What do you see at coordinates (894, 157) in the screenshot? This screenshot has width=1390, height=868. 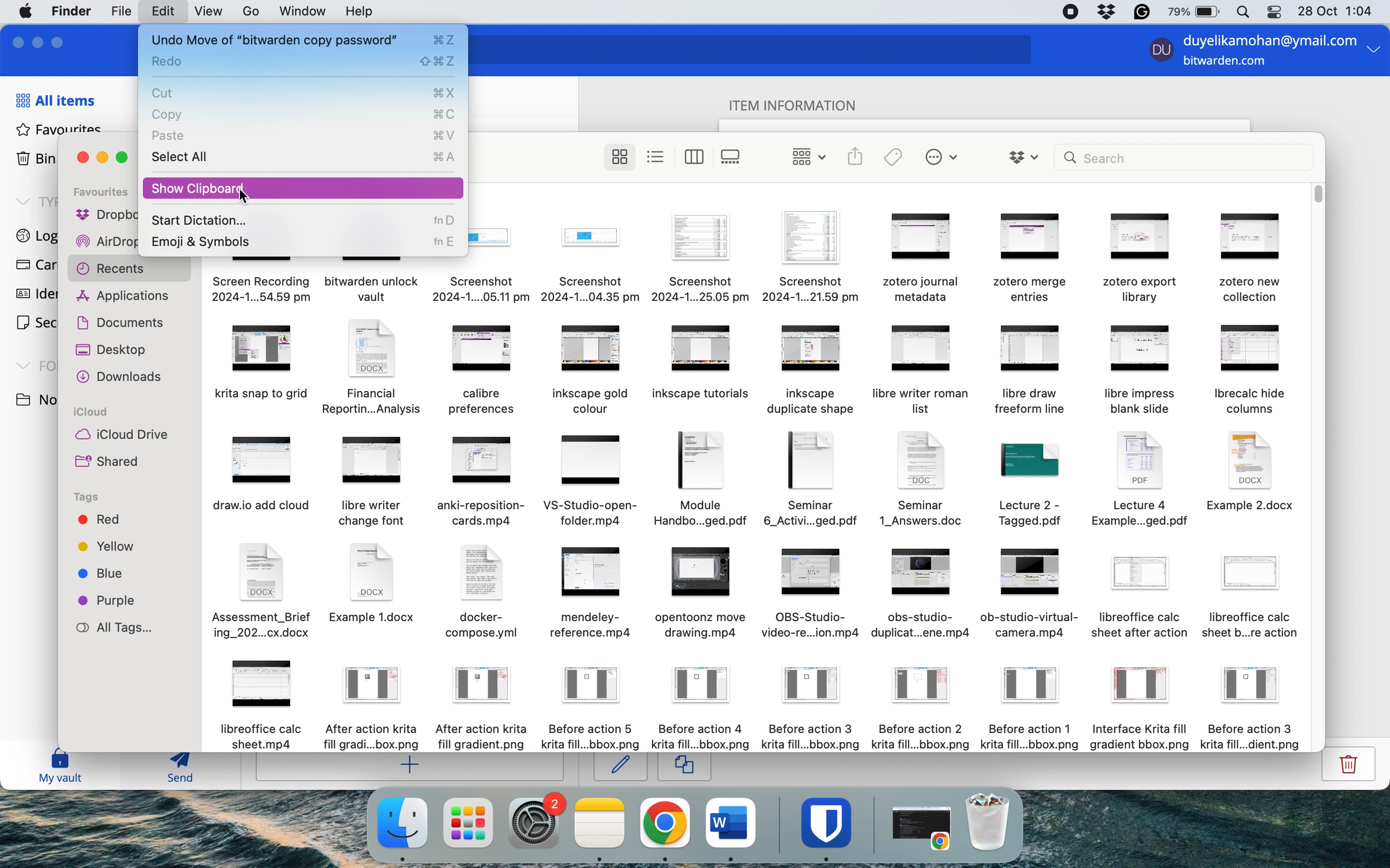 I see `edit tags` at bounding box center [894, 157].